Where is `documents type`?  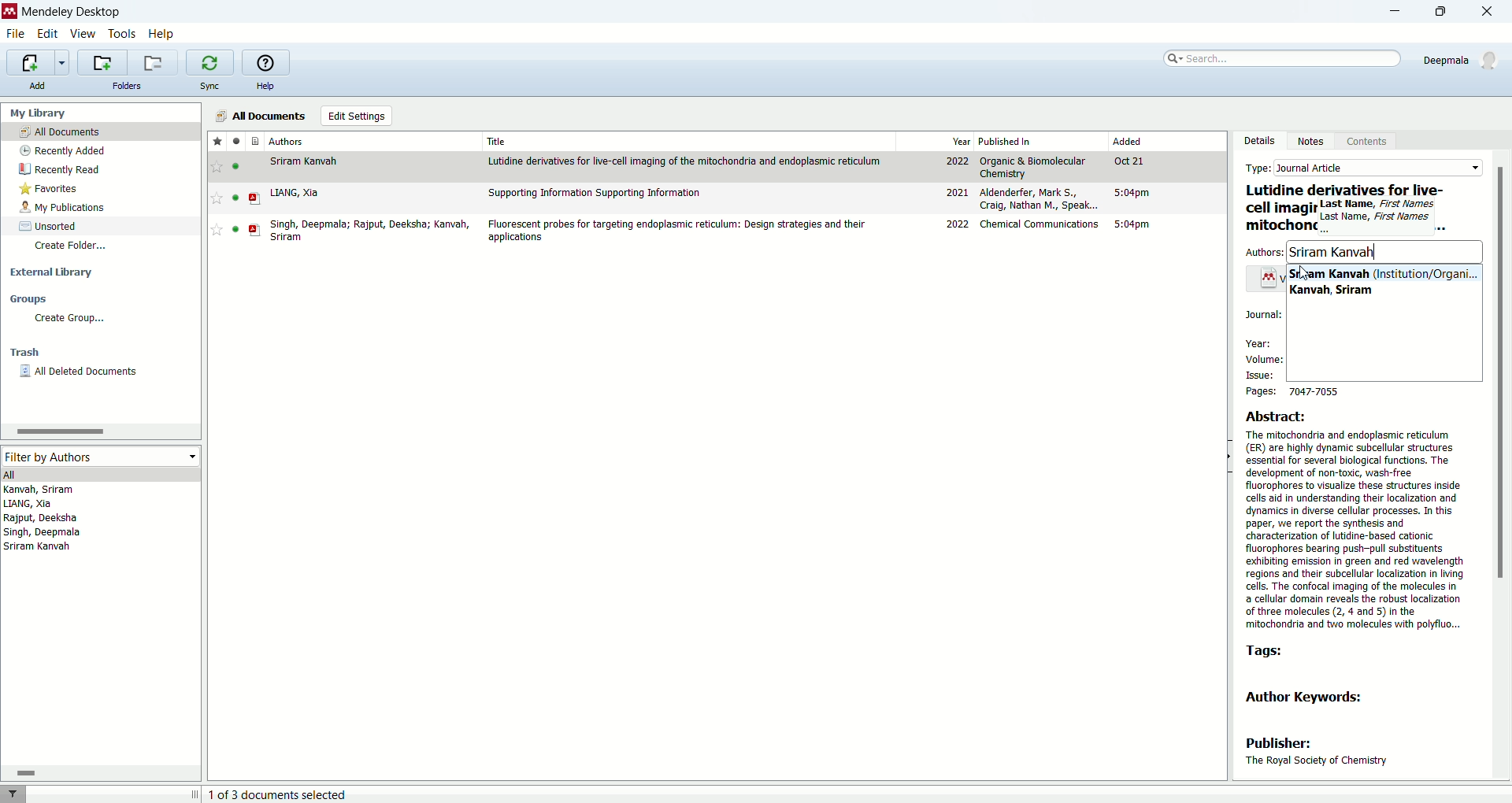 documents type is located at coordinates (255, 141).